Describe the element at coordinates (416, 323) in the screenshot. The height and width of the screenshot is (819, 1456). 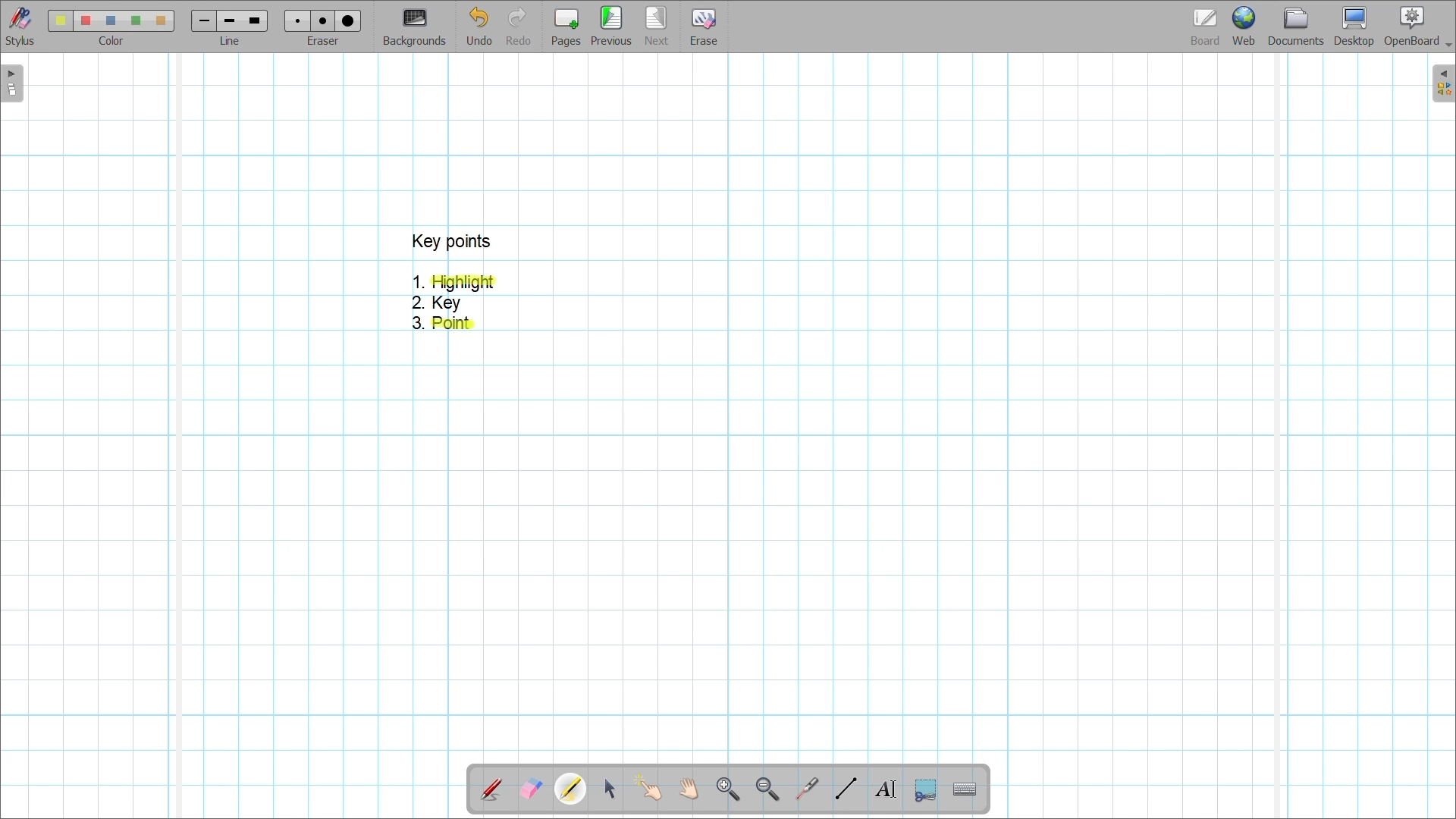
I see `3.` at that location.